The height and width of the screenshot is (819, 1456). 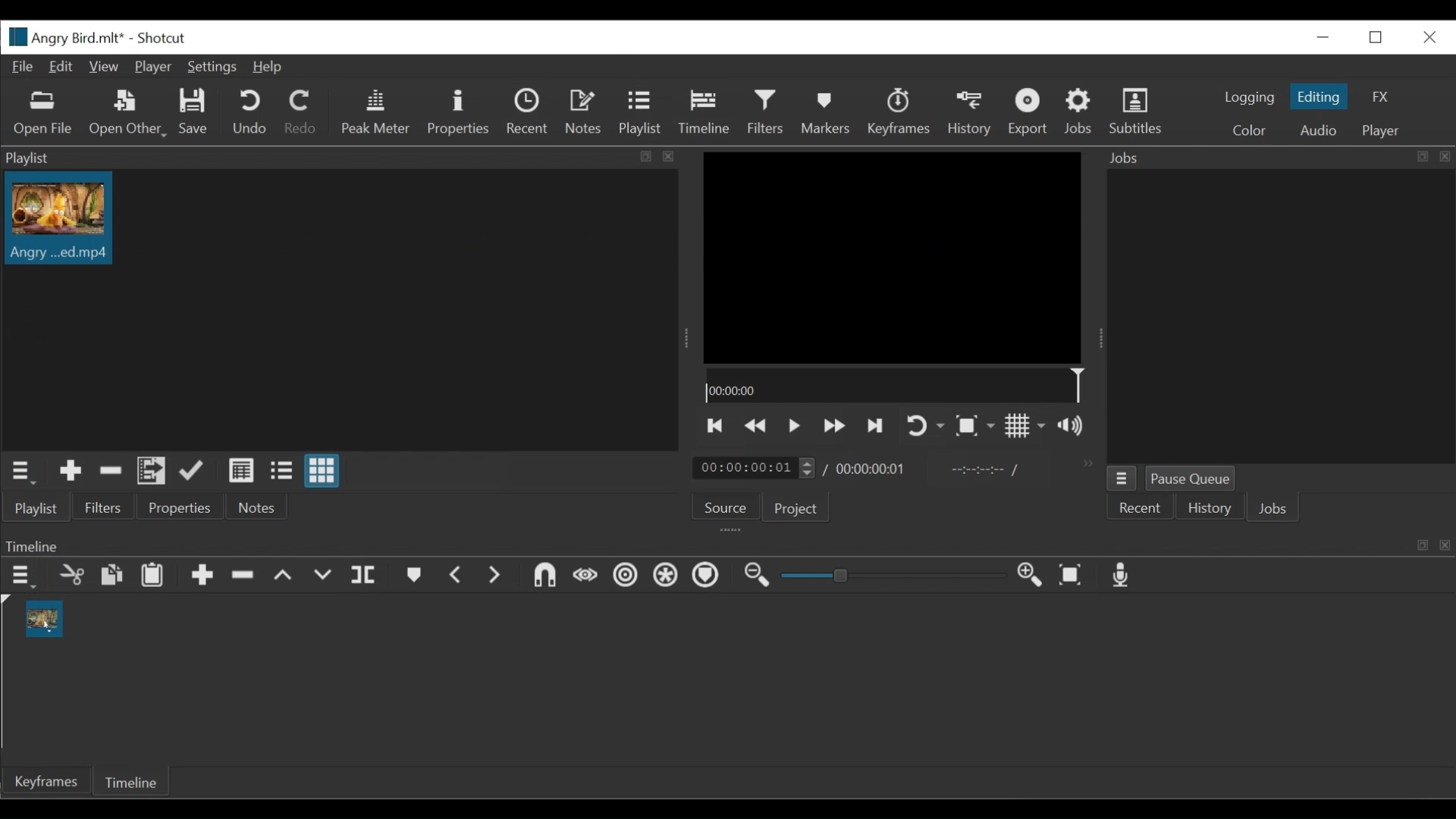 I want to click on Save, so click(x=194, y=112).